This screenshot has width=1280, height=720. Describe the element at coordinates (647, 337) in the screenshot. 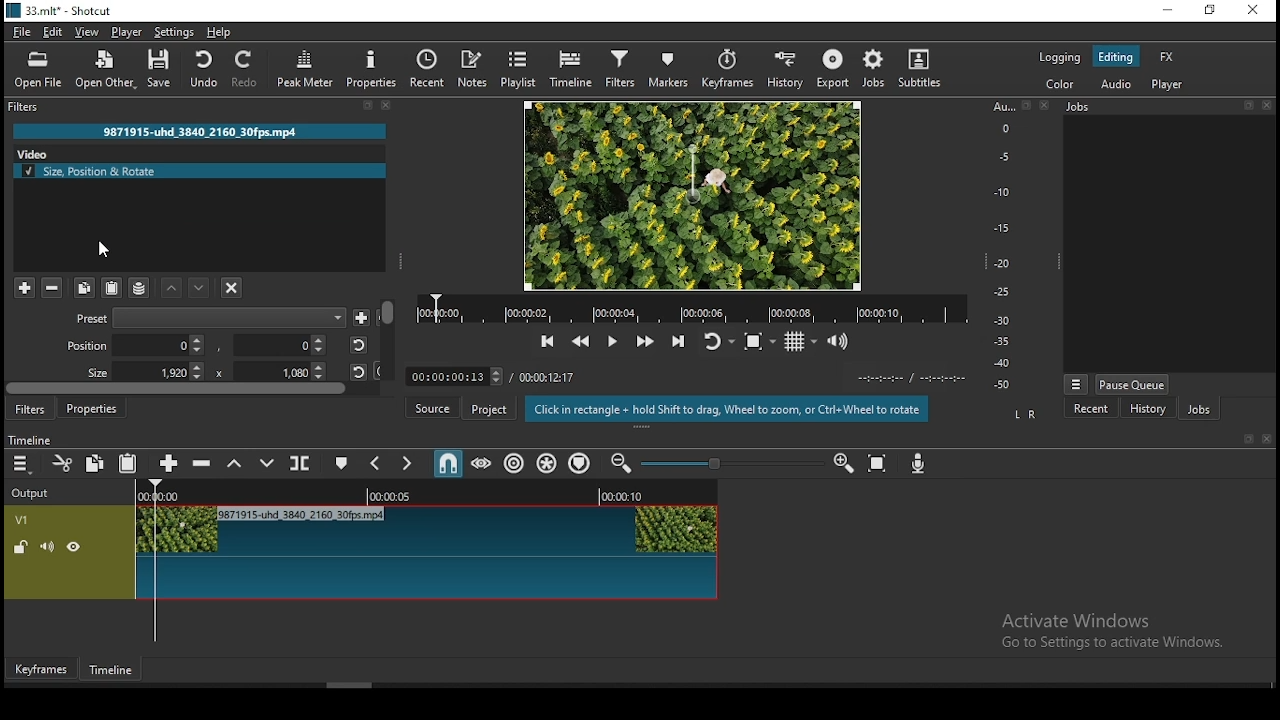

I see `play quickly forward` at that location.